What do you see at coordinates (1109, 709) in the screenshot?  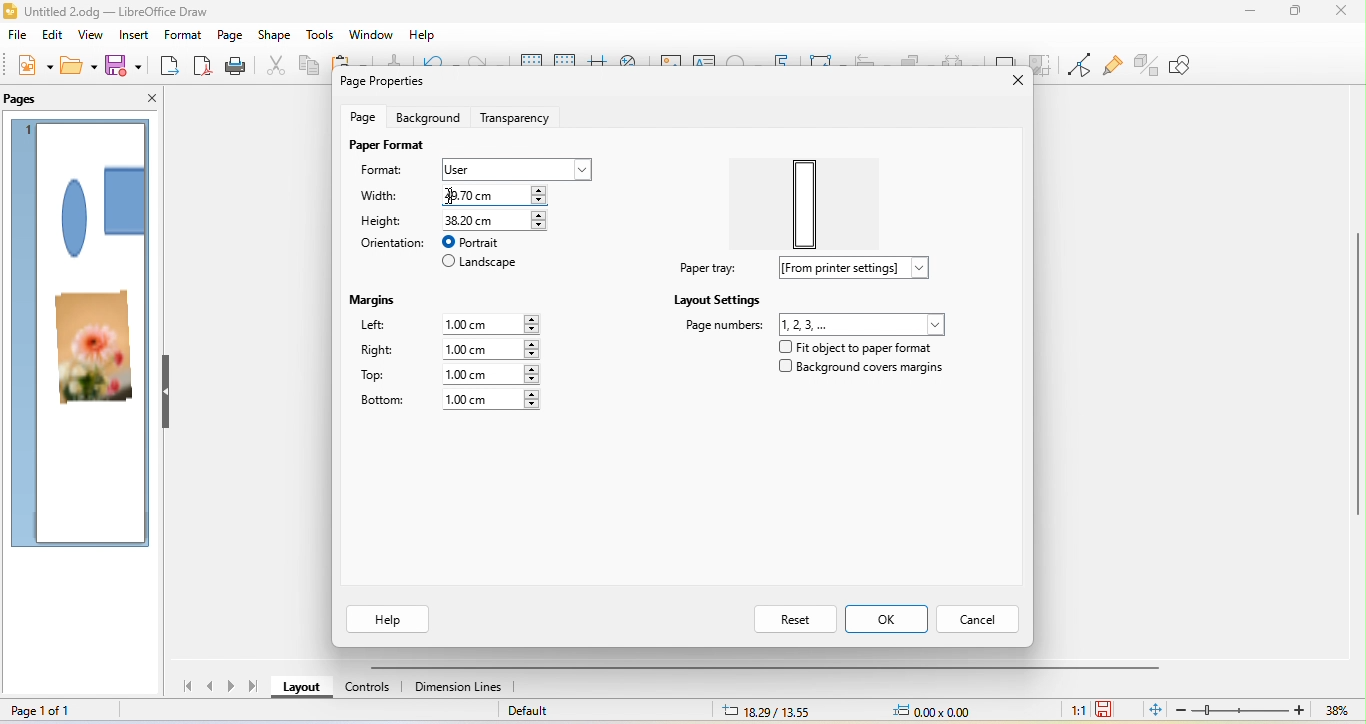 I see `the document has not been modified since last save` at bounding box center [1109, 709].